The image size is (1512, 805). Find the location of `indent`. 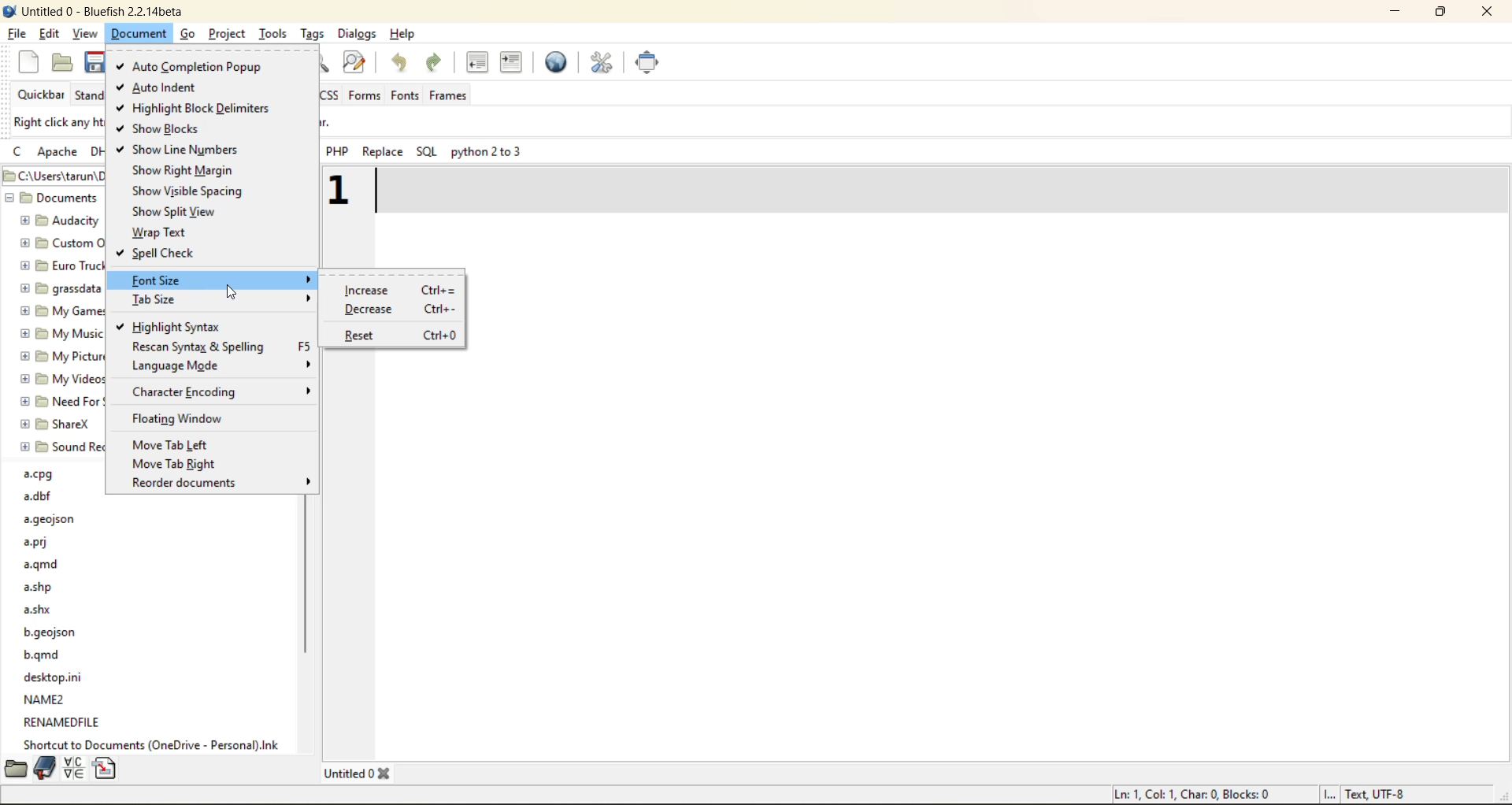

indent is located at coordinates (515, 63).